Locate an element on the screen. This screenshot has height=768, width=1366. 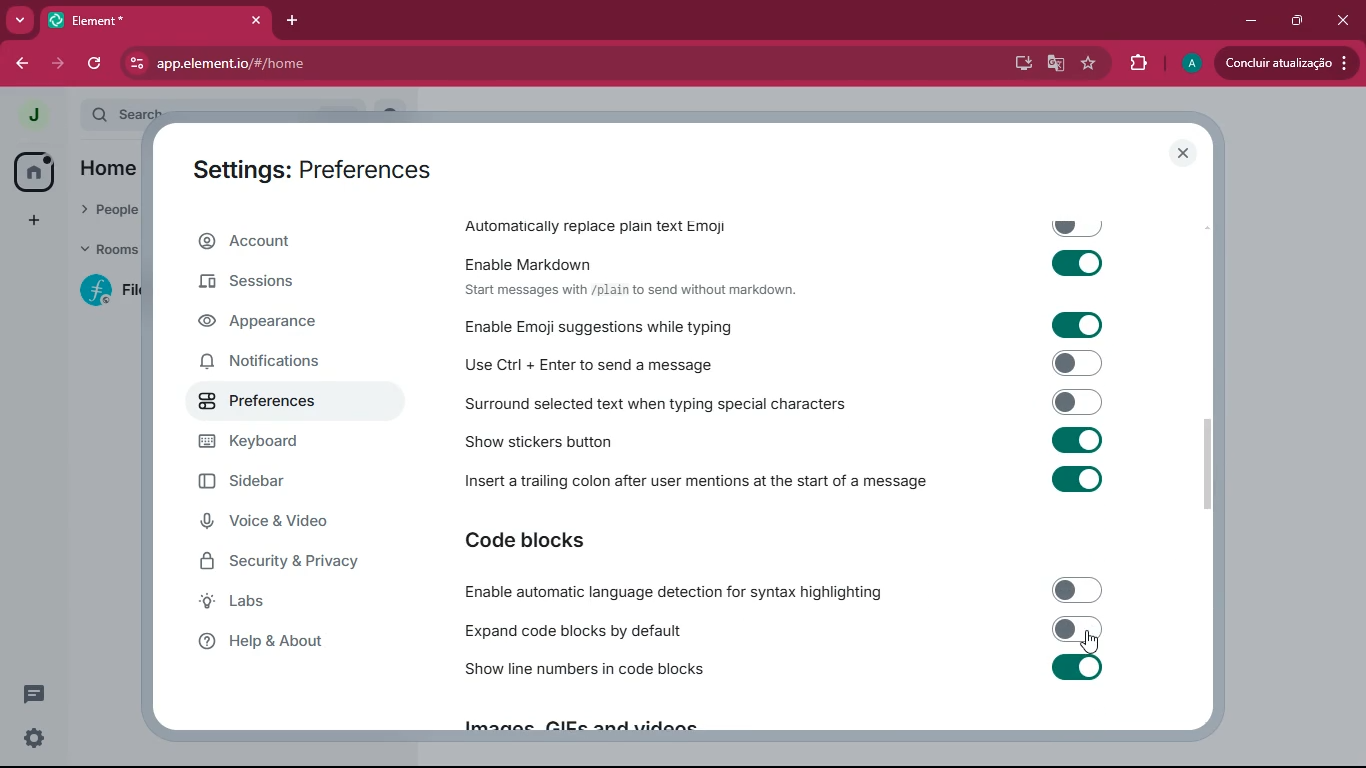
close is located at coordinates (1185, 153).